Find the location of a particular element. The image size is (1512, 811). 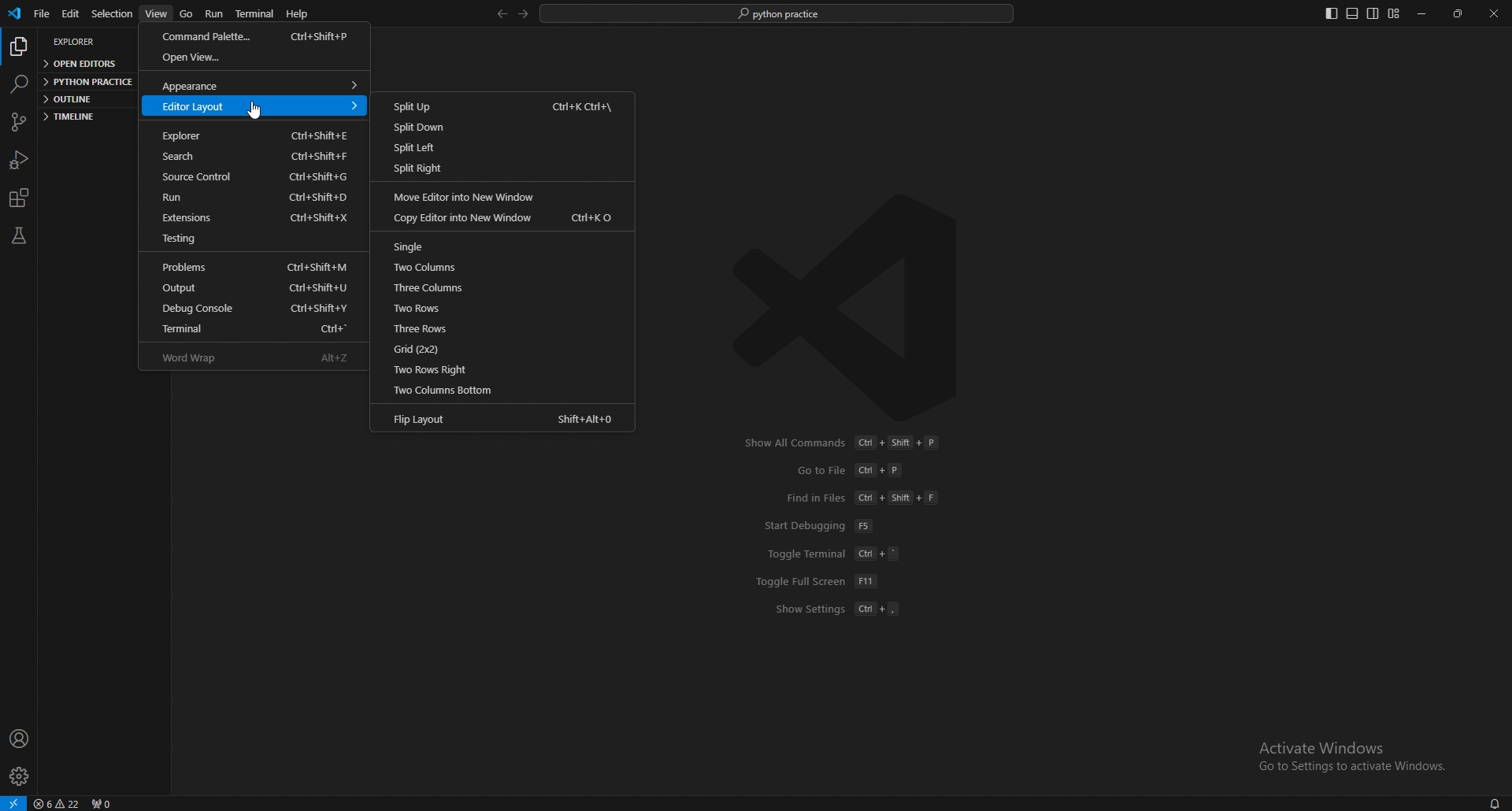

vscode is located at coordinates (17, 14).